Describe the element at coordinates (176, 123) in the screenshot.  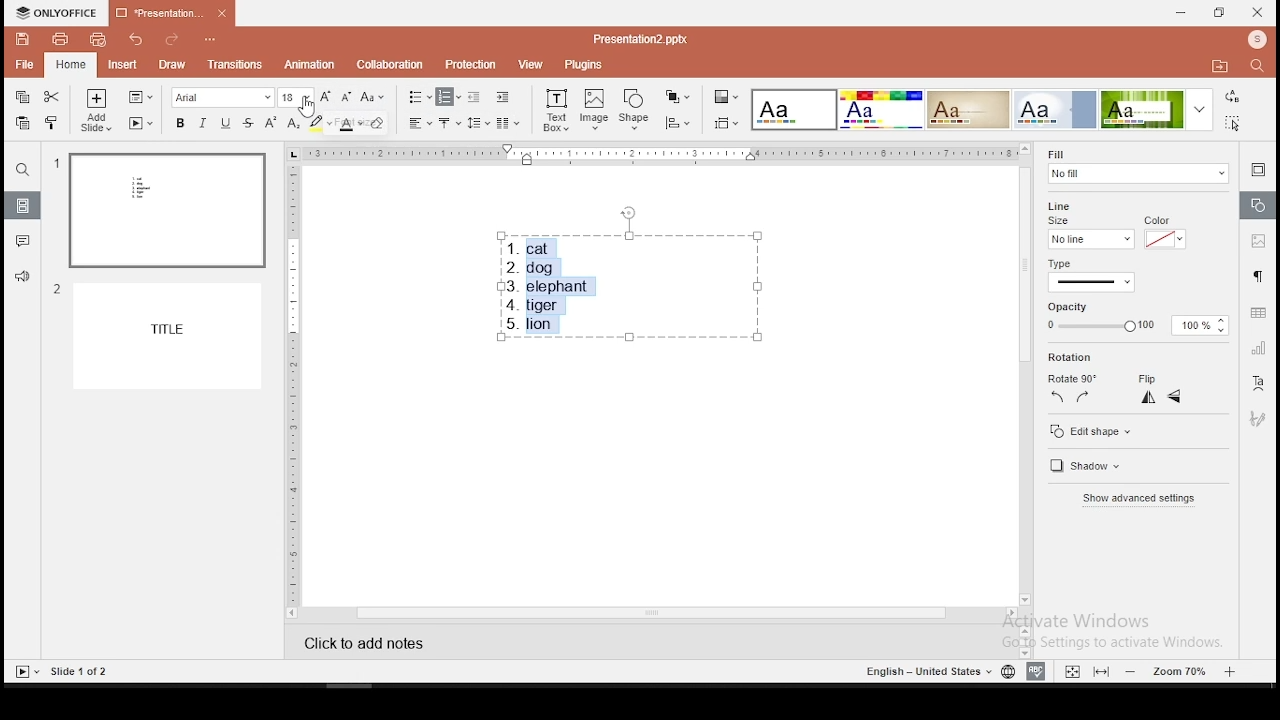
I see `bold` at that location.